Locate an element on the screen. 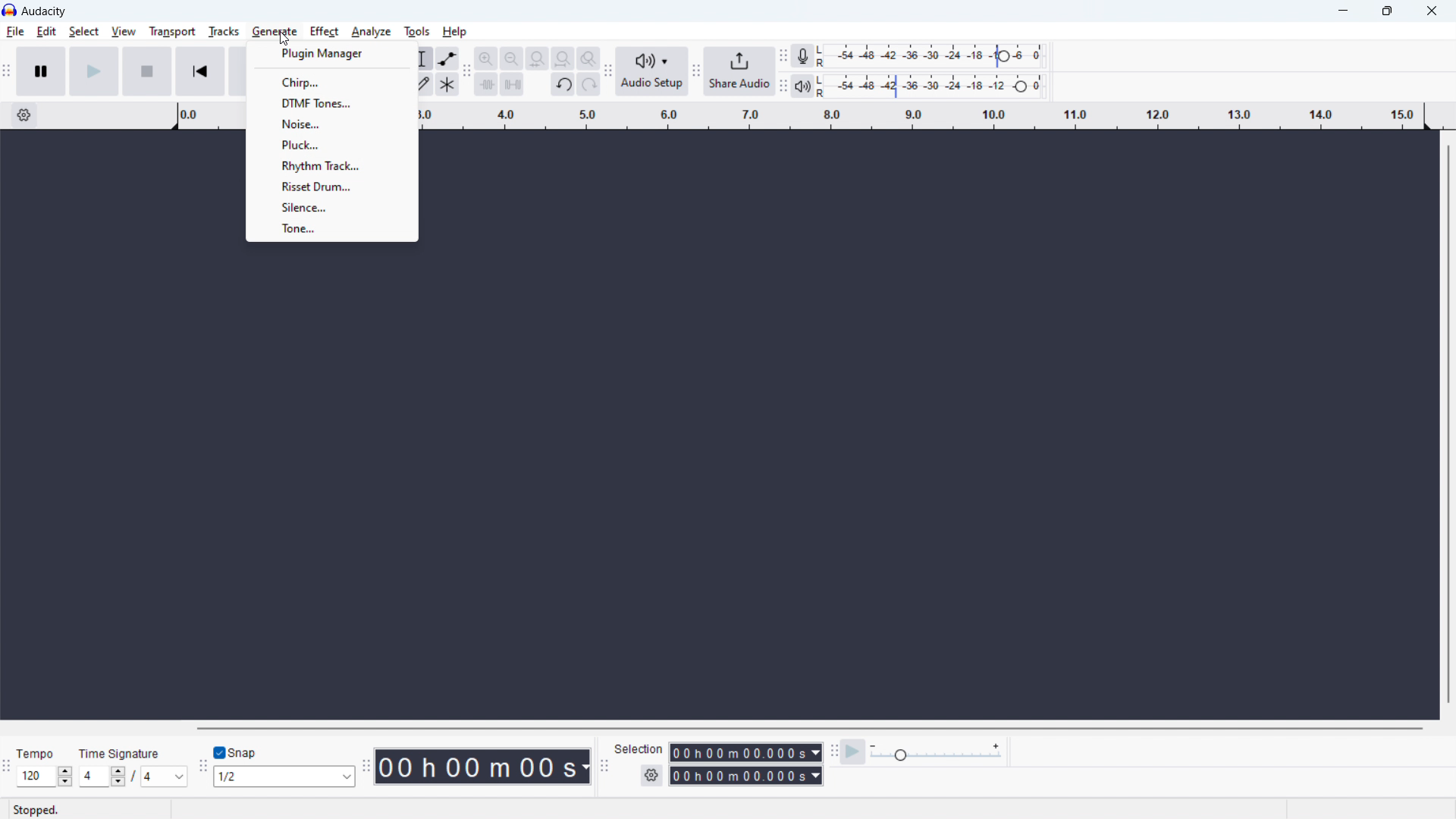 The width and height of the screenshot is (1456, 819). selection toolbar is located at coordinates (604, 766).